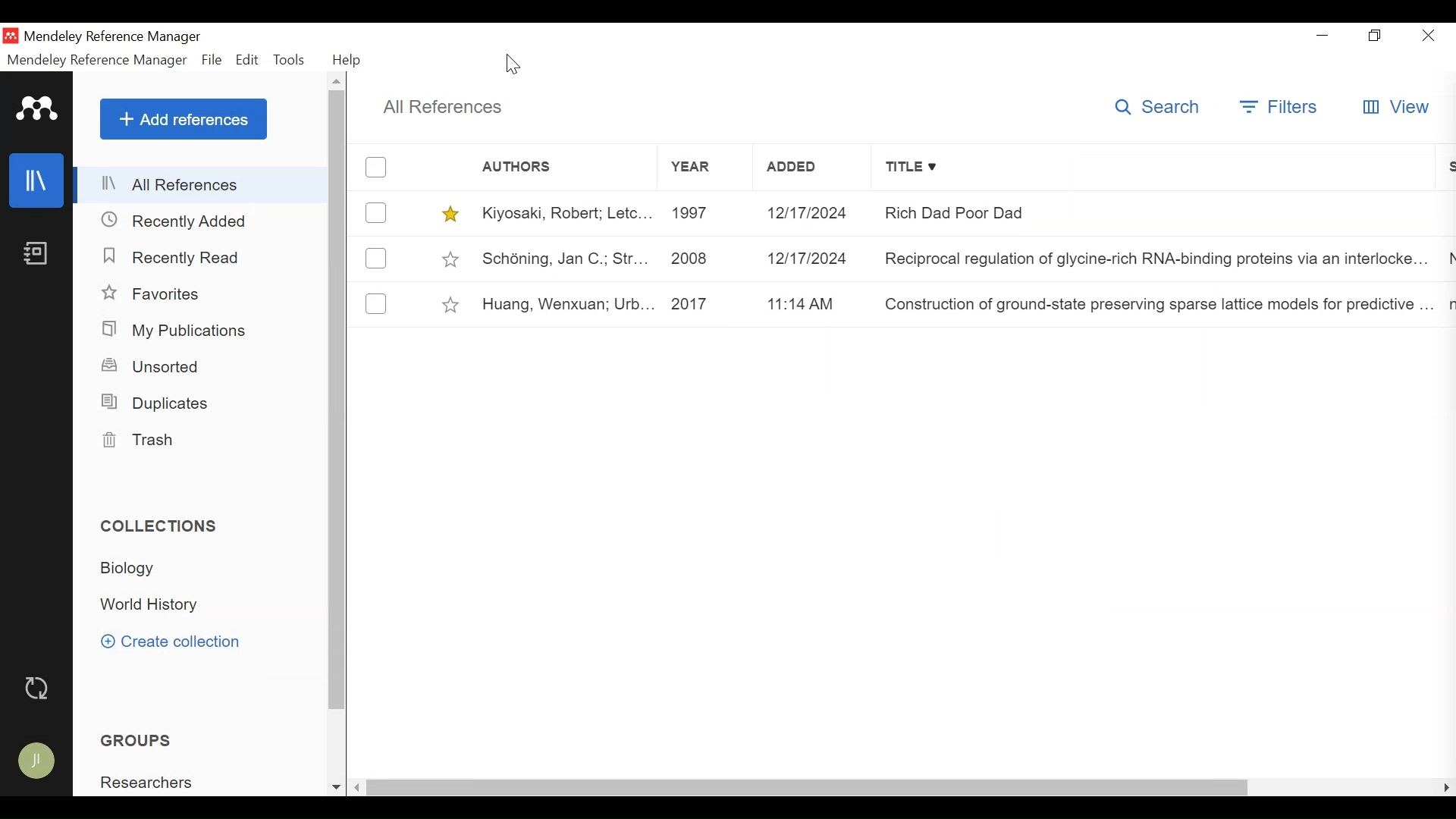  What do you see at coordinates (453, 303) in the screenshot?
I see `Toggle Favorites` at bounding box center [453, 303].